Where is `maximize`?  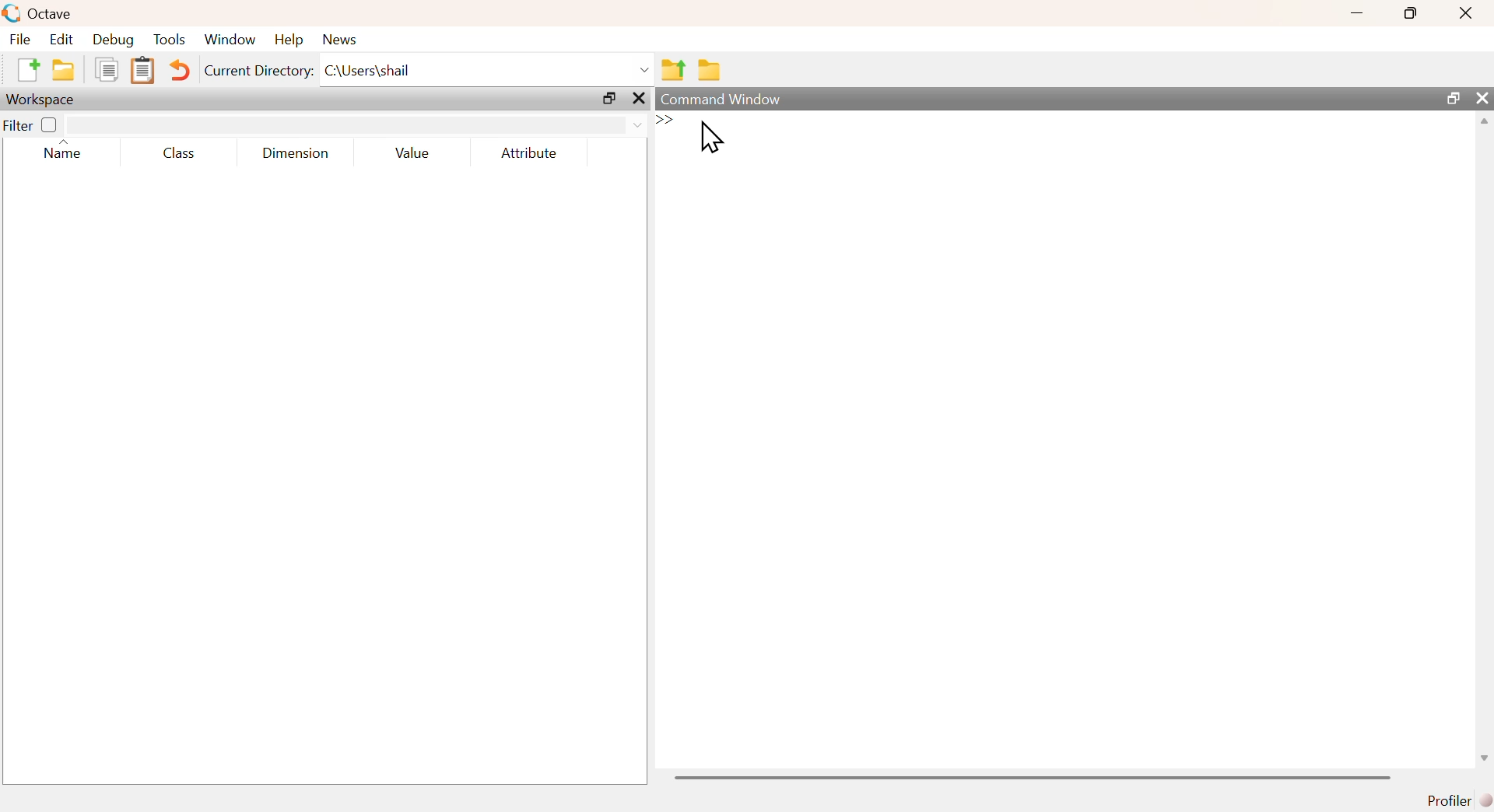
maximize is located at coordinates (1408, 13).